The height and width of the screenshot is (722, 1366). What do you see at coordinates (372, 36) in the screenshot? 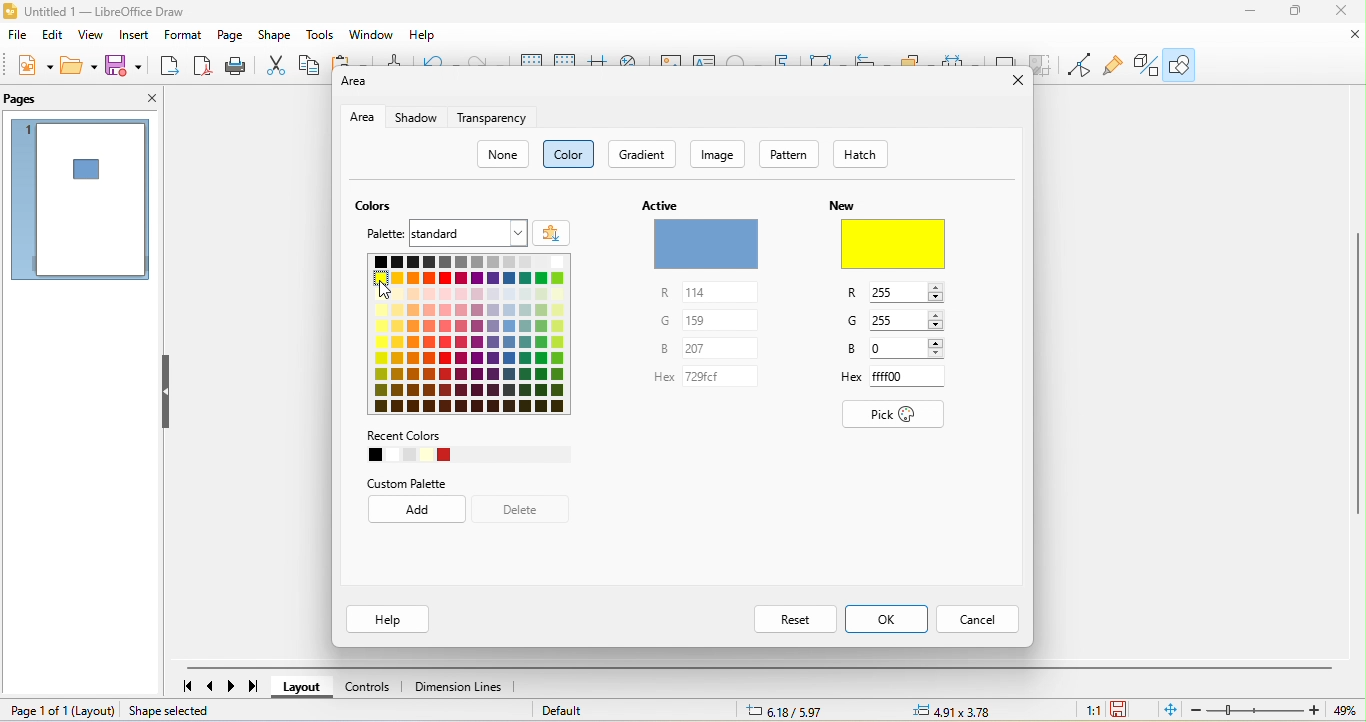
I see `window` at bounding box center [372, 36].